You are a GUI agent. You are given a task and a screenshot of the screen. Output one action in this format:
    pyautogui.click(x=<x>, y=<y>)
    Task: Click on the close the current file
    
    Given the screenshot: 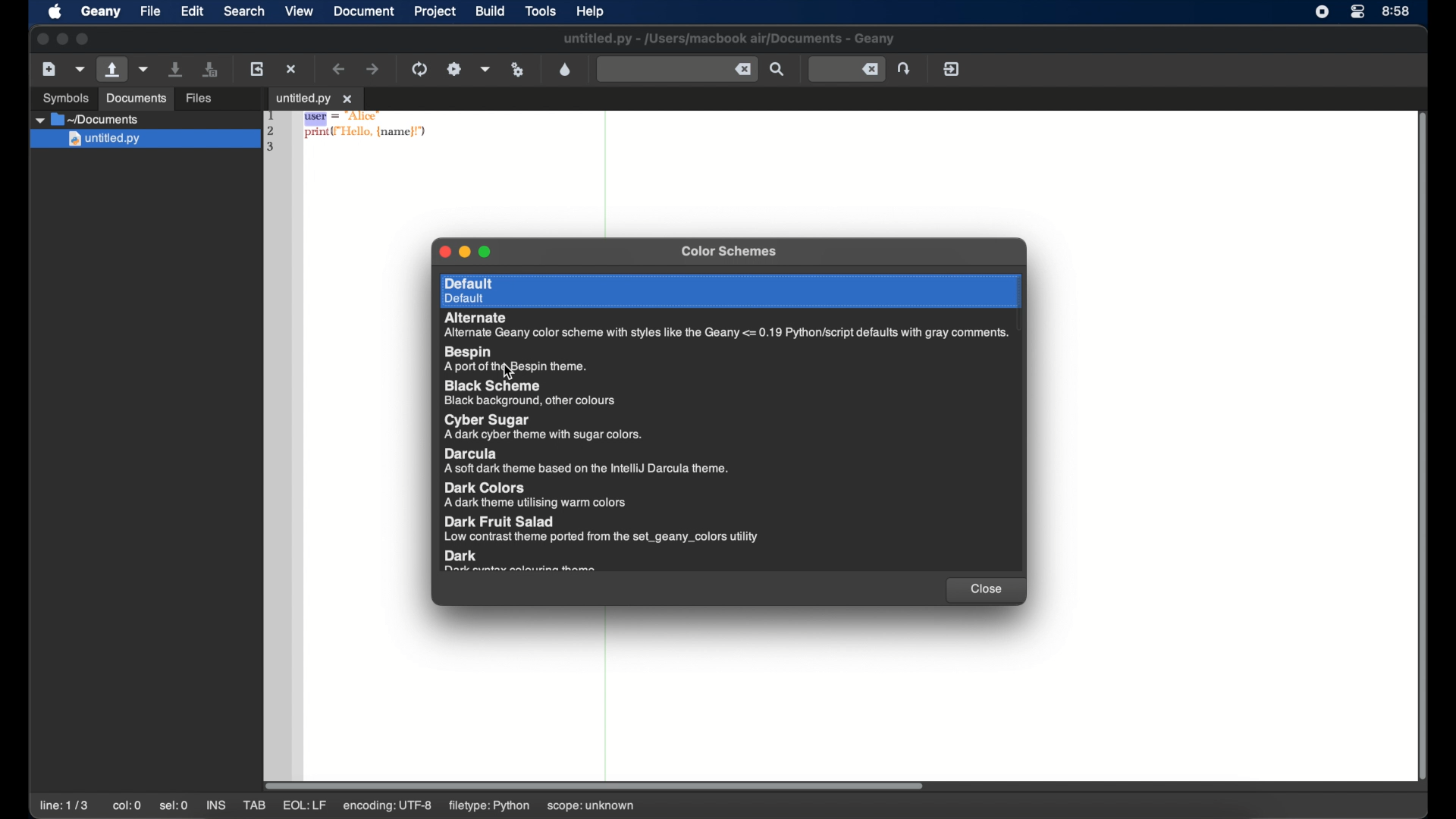 What is the action you would take?
    pyautogui.click(x=292, y=68)
    